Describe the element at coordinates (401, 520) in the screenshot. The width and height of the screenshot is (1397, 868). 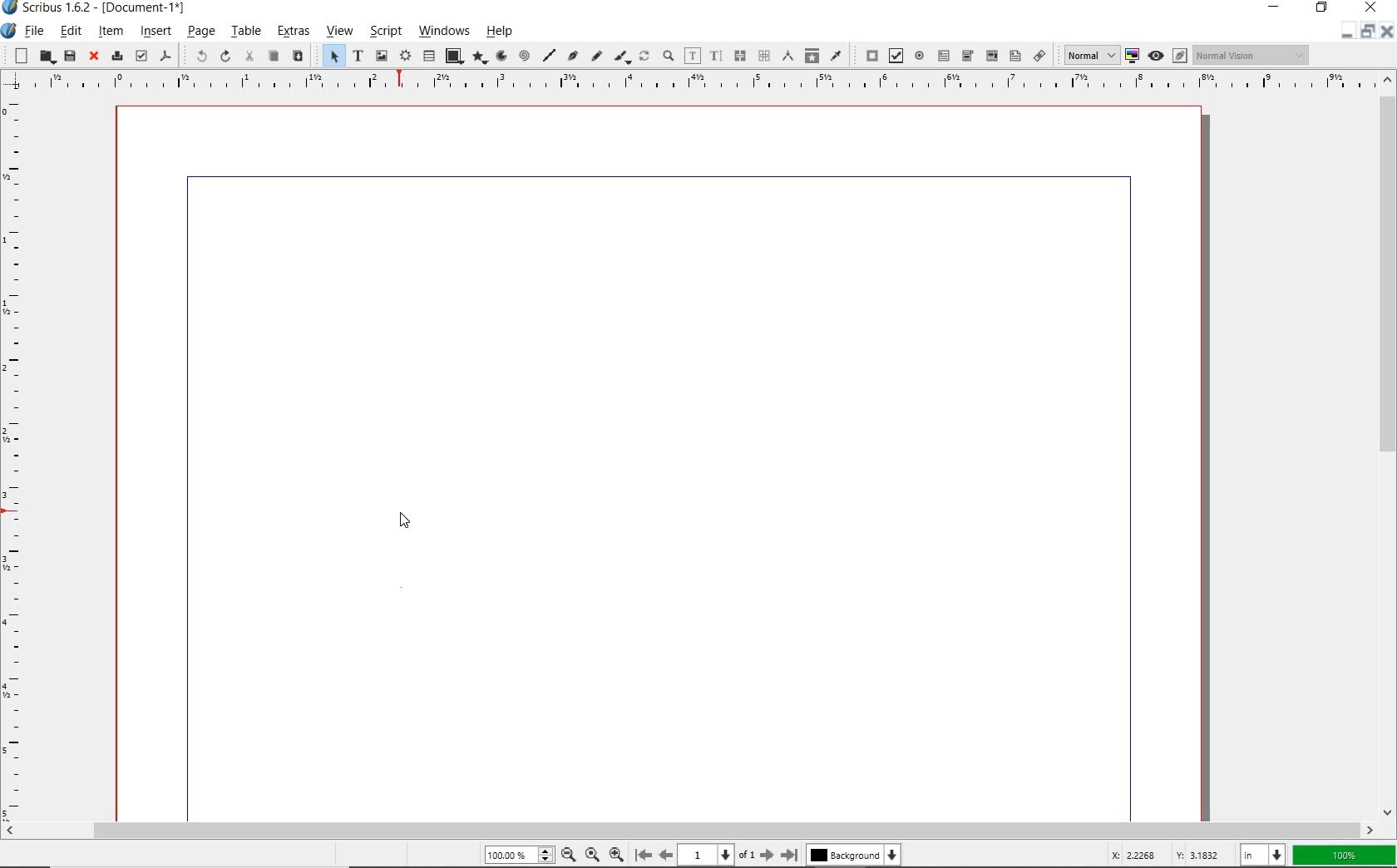
I see `cursor` at that location.